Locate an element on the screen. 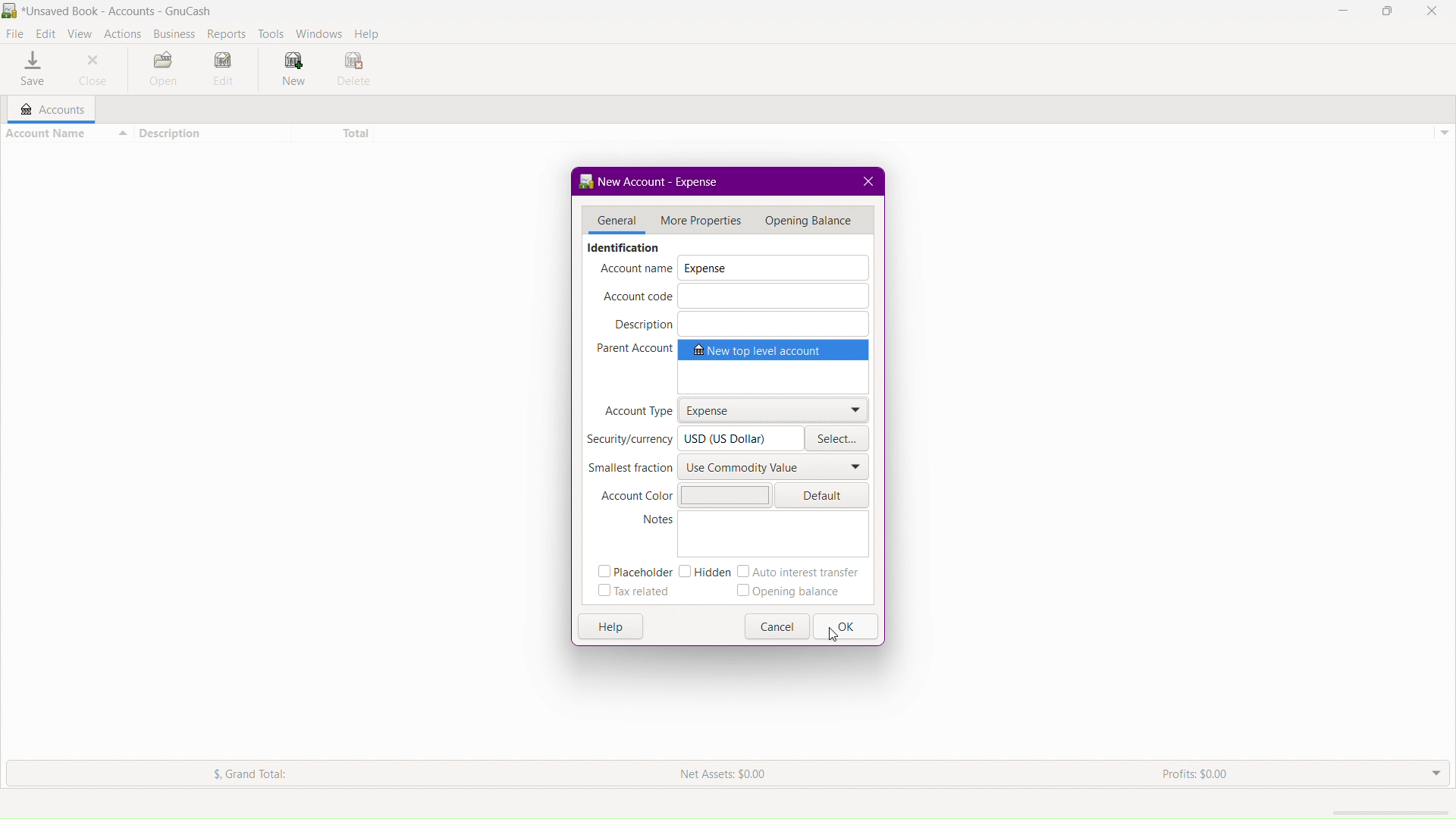 The height and width of the screenshot is (819, 1456). Security/Currency is located at coordinates (693, 438).